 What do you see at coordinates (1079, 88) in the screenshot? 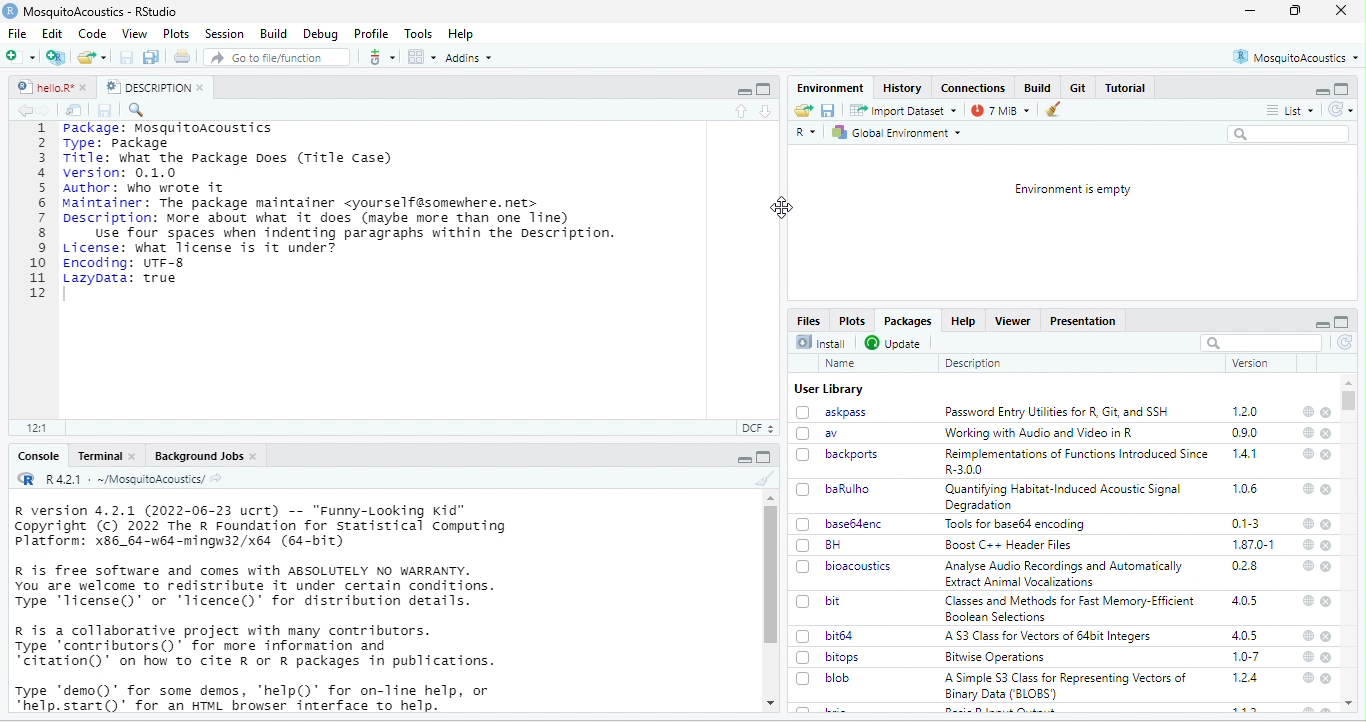
I see `Git` at bounding box center [1079, 88].